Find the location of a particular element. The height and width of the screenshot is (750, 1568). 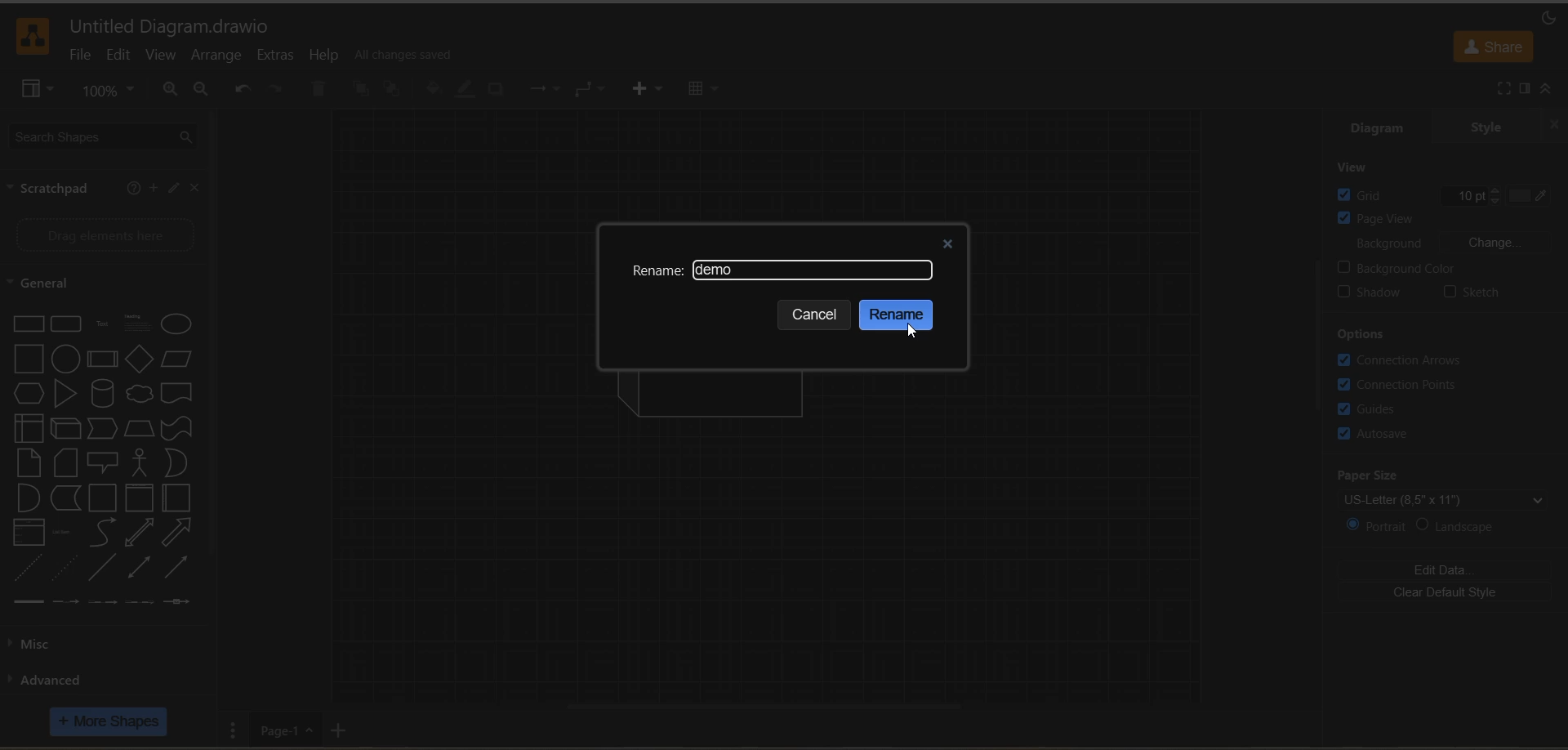

close is located at coordinates (196, 190).